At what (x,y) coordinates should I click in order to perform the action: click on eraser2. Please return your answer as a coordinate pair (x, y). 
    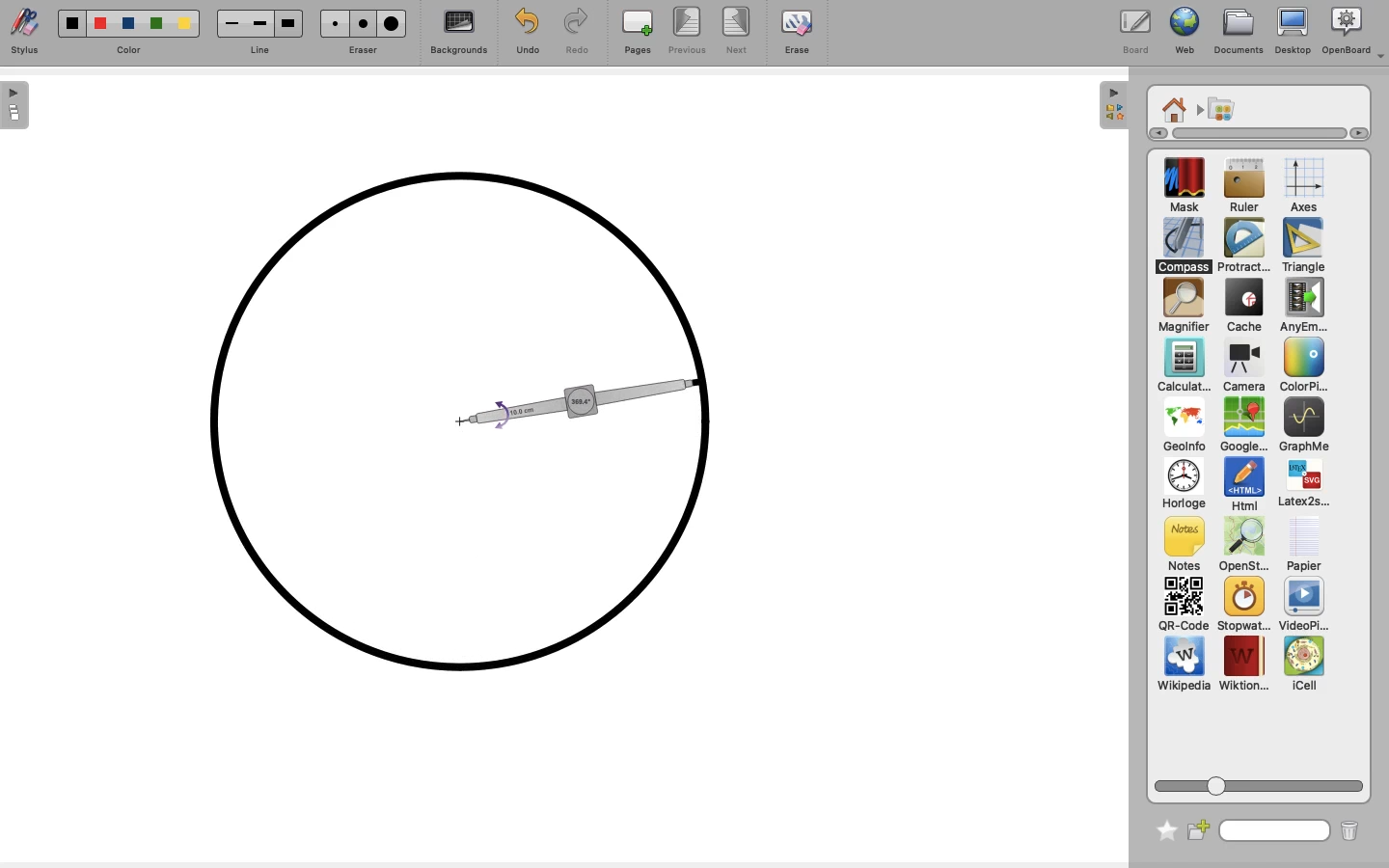
    Looking at the image, I should click on (363, 23).